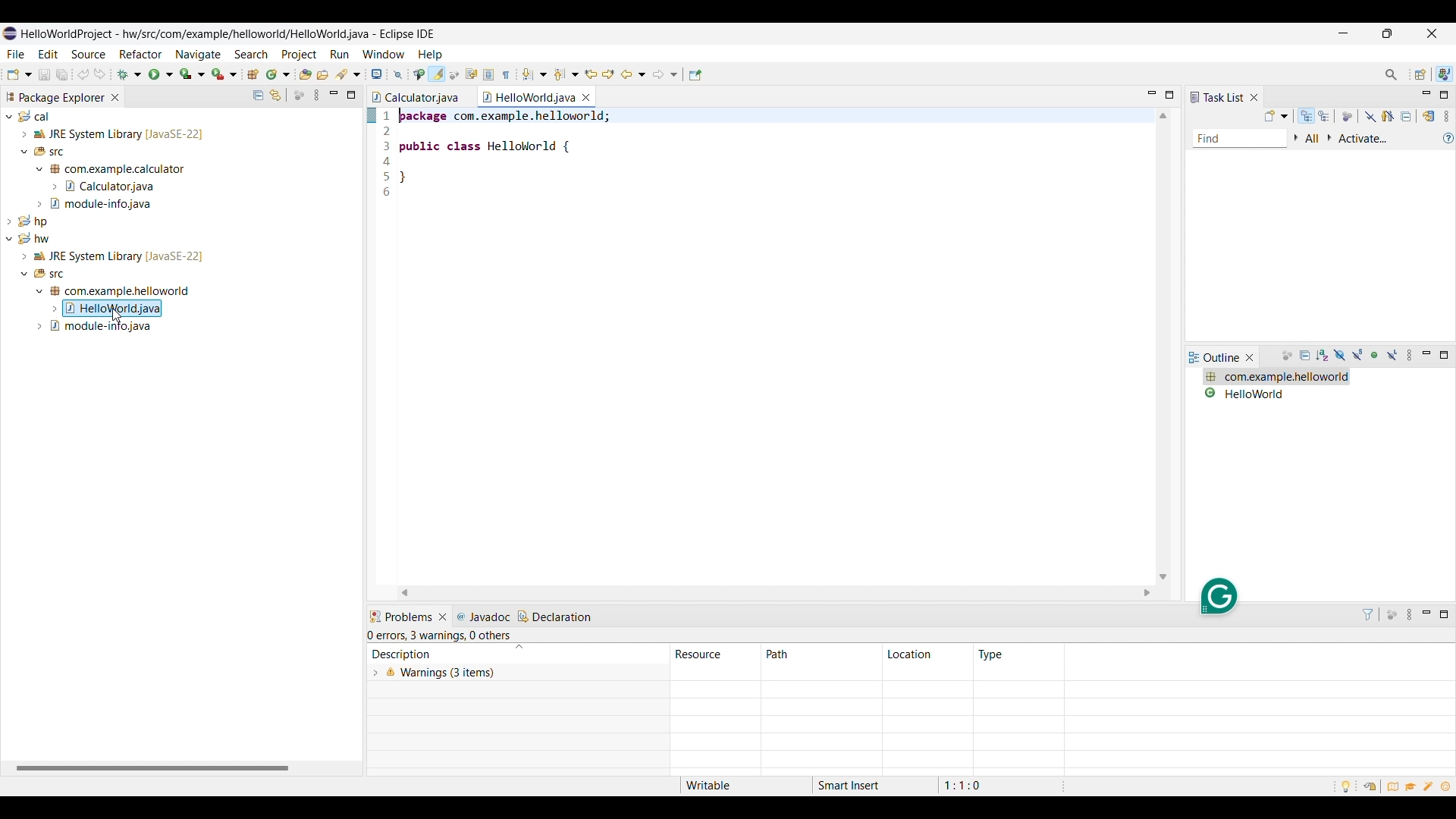  Describe the element at coordinates (377, 74) in the screenshot. I see `Open a terminal` at that location.